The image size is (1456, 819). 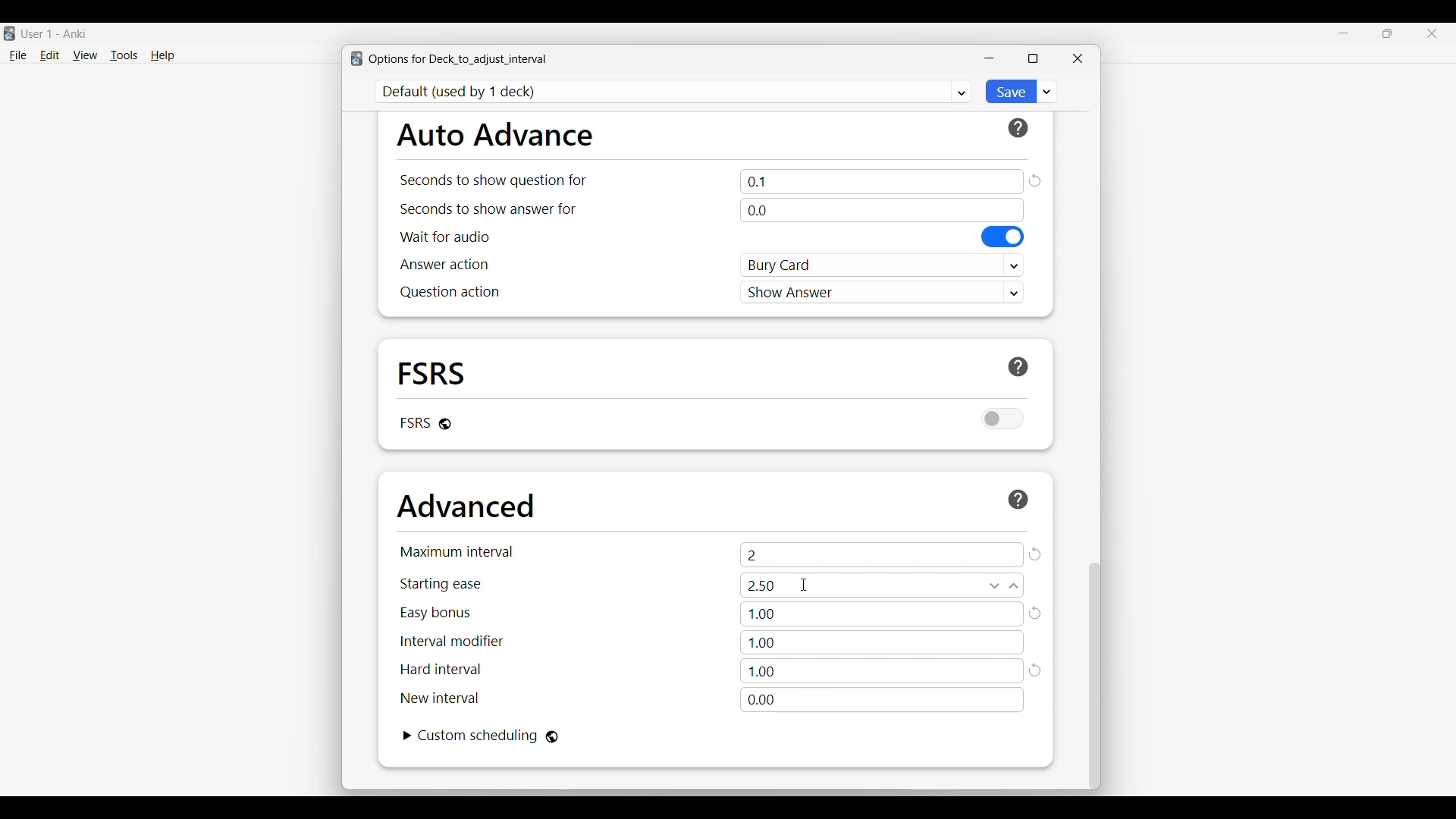 I want to click on User 1 - Anki, so click(x=55, y=33).